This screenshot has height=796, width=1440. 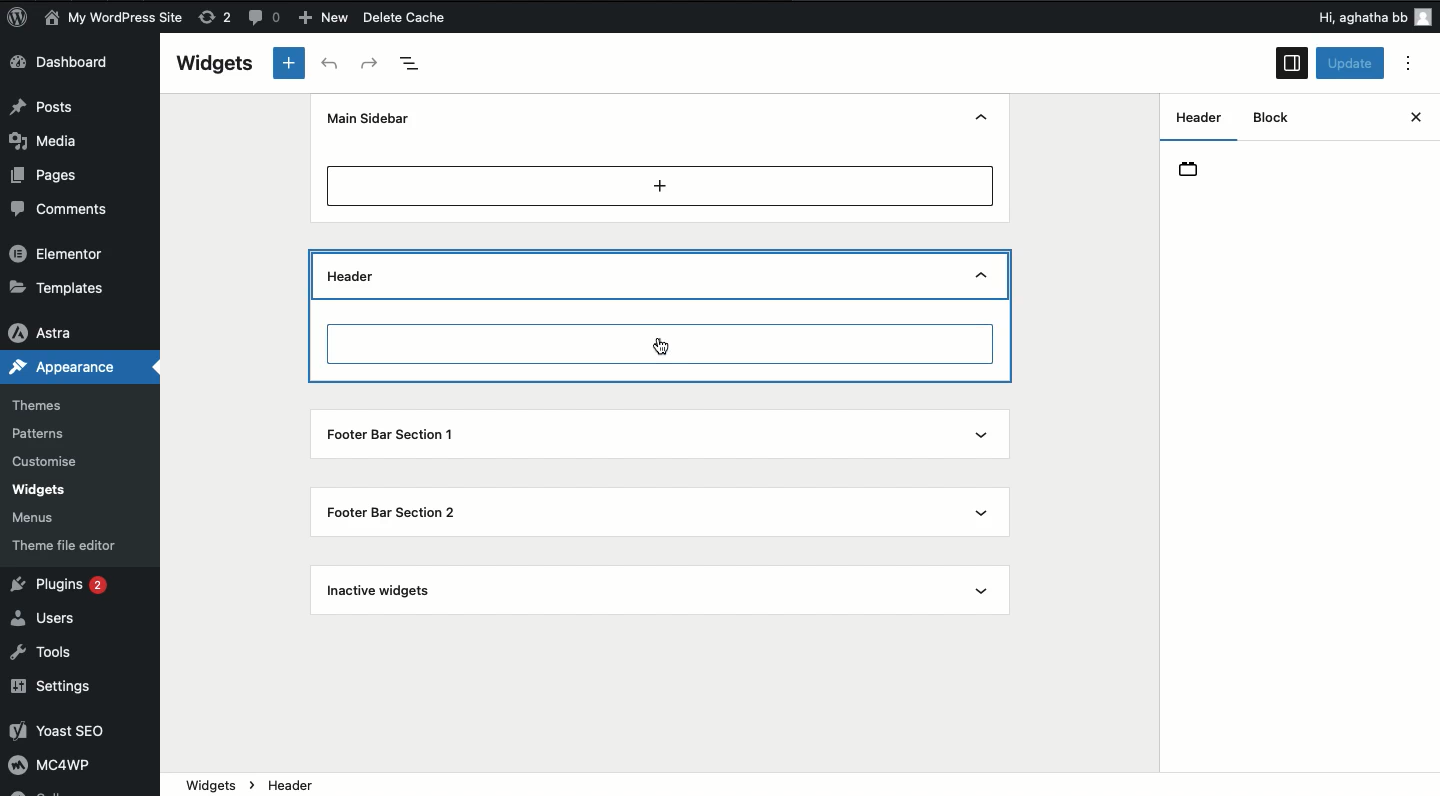 I want to click on Main sidebar, so click(x=373, y=118).